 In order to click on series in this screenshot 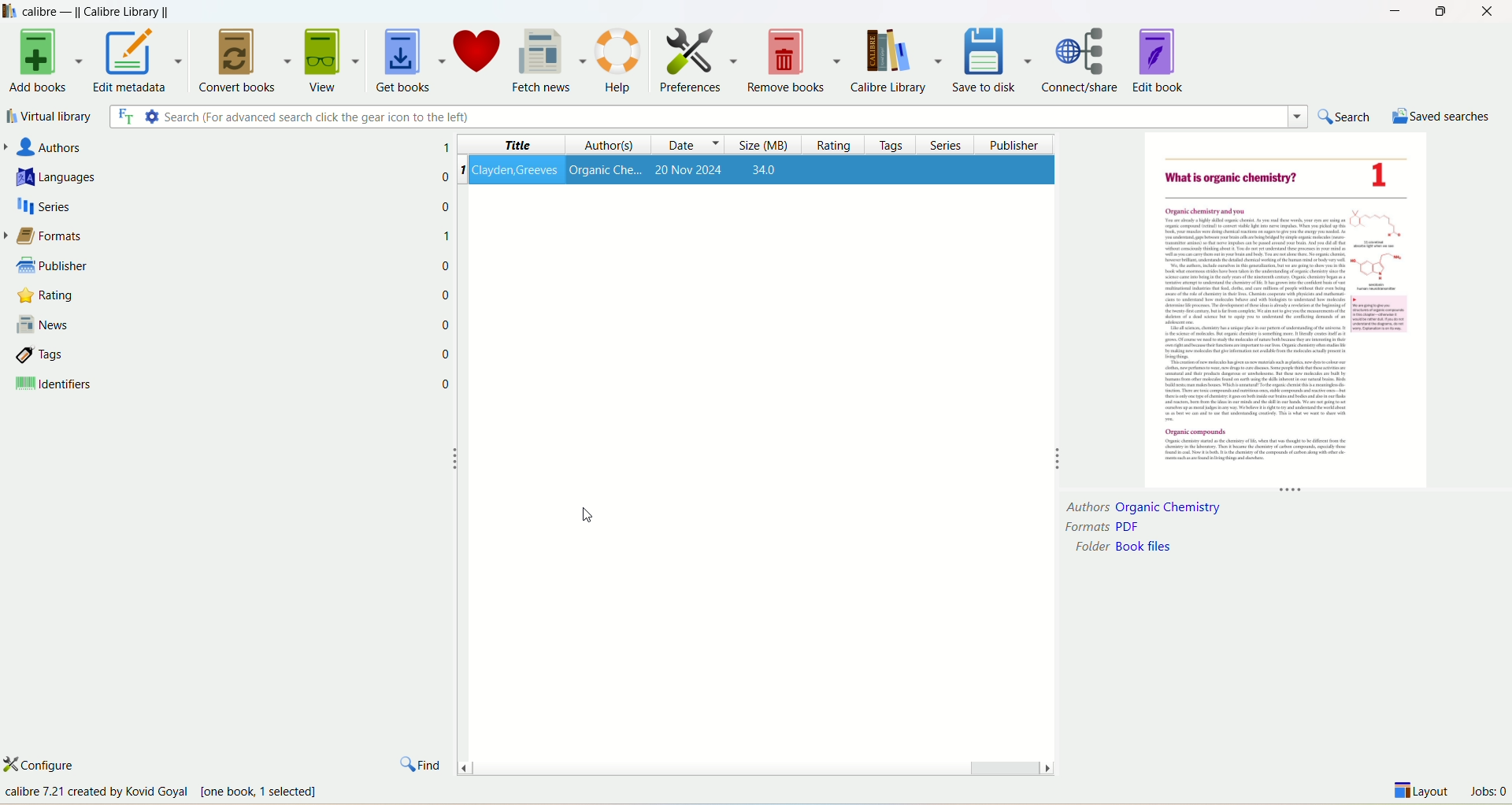, I will do `click(939, 144)`.